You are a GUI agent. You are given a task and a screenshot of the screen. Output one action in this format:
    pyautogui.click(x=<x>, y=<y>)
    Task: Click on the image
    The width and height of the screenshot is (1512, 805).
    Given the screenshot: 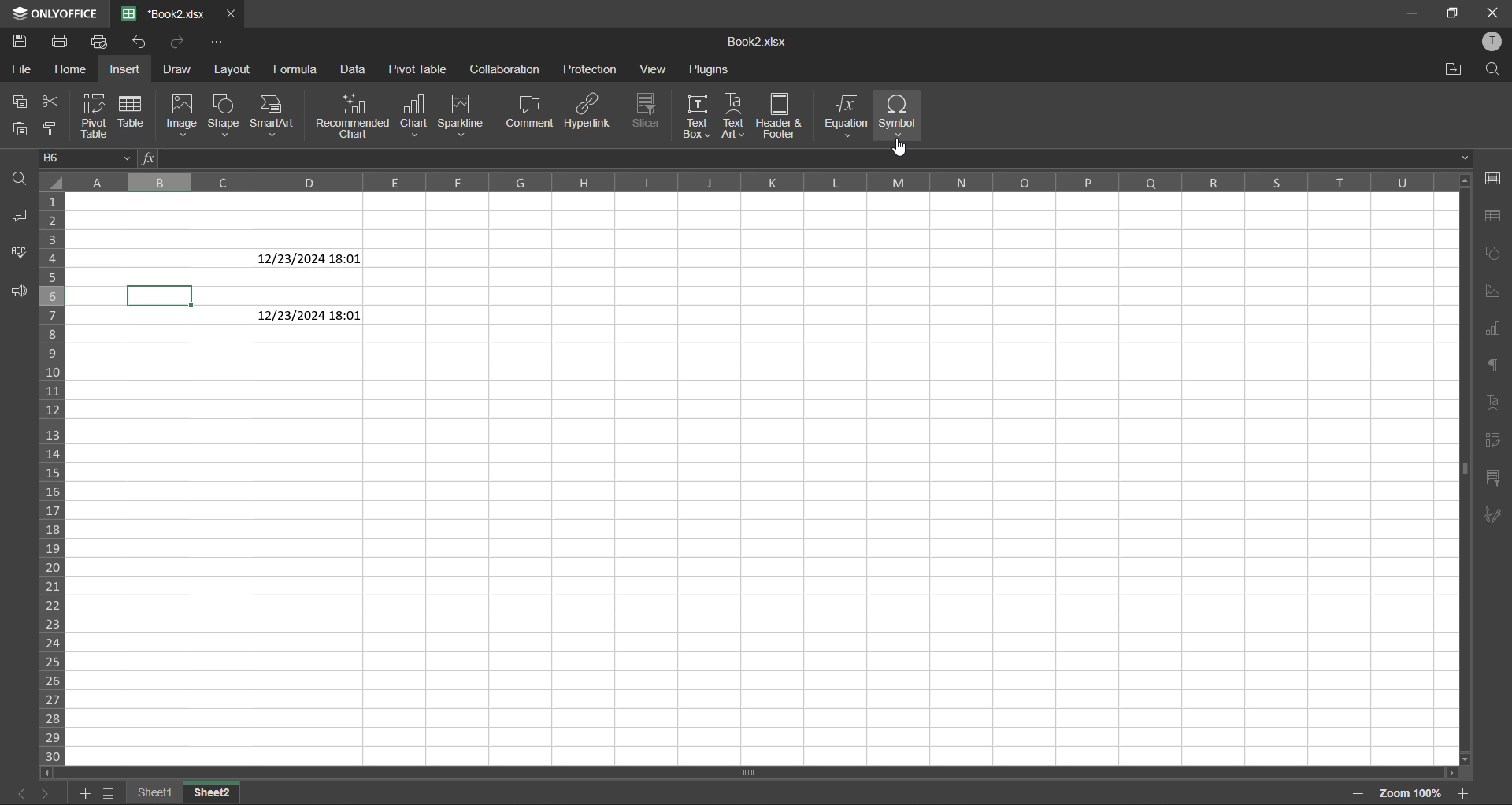 What is the action you would take?
    pyautogui.click(x=183, y=116)
    